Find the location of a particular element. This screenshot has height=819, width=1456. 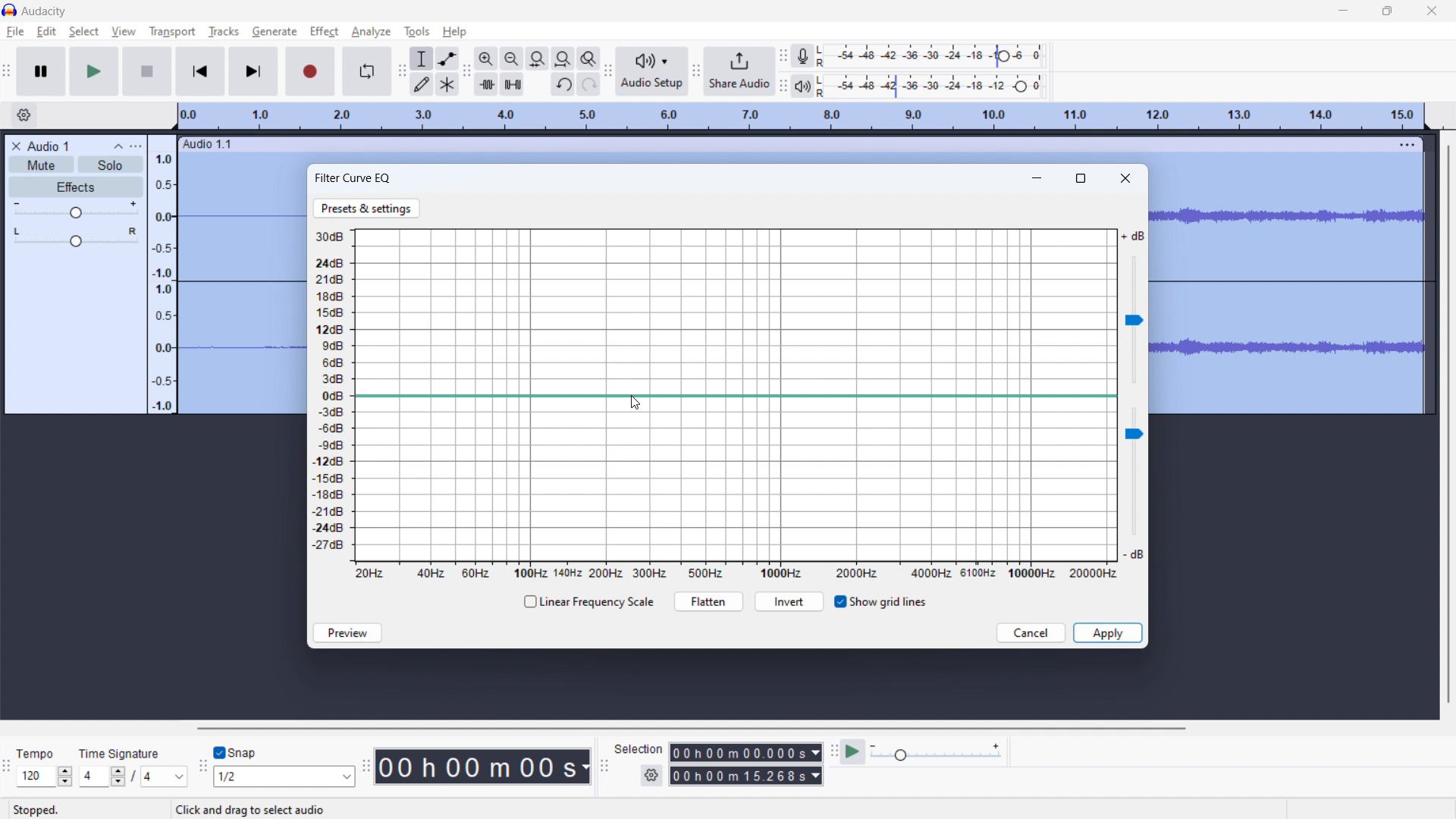

linear frequency scale checkbox is located at coordinates (587, 602).